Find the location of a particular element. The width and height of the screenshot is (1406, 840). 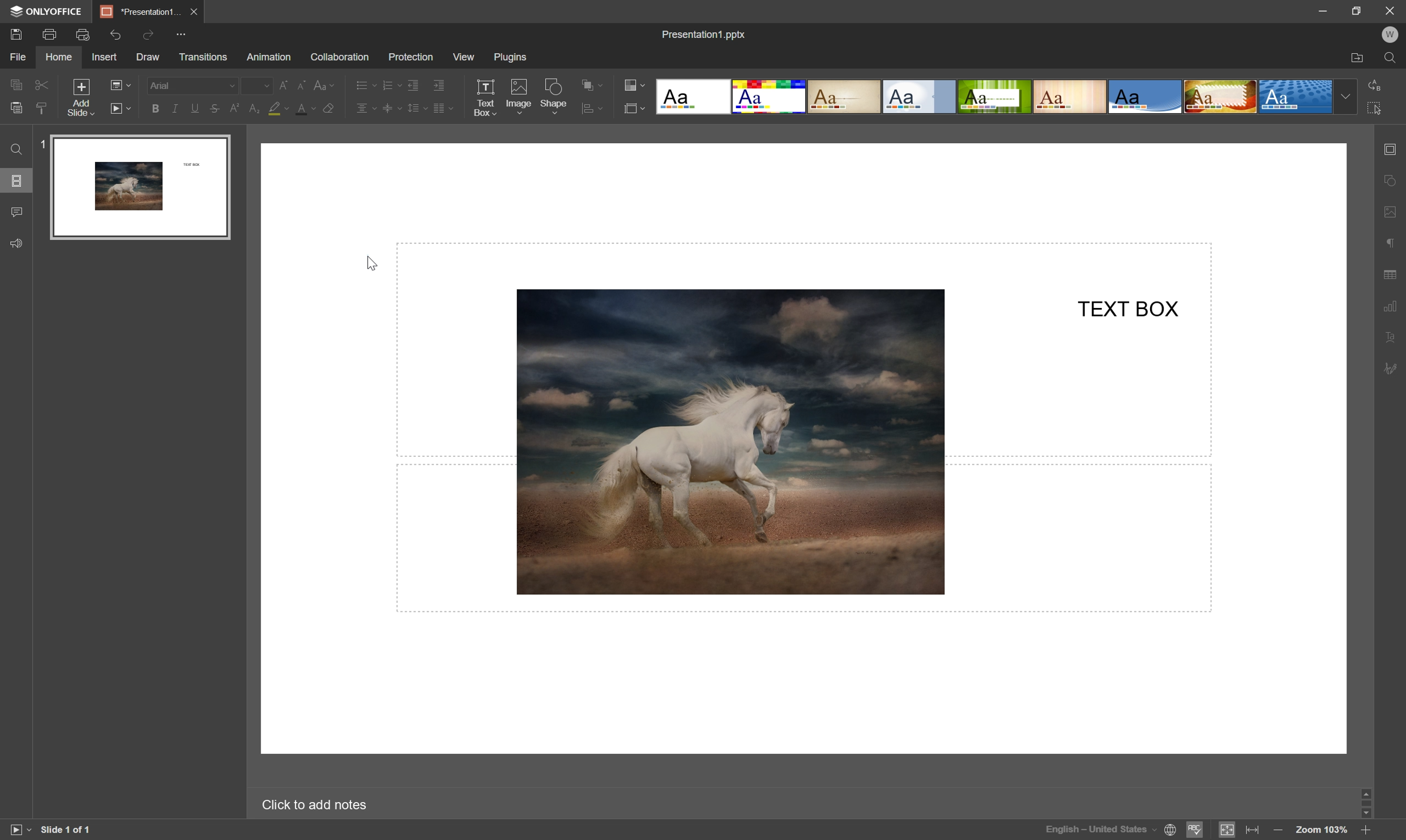

line spacing is located at coordinates (417, 108).